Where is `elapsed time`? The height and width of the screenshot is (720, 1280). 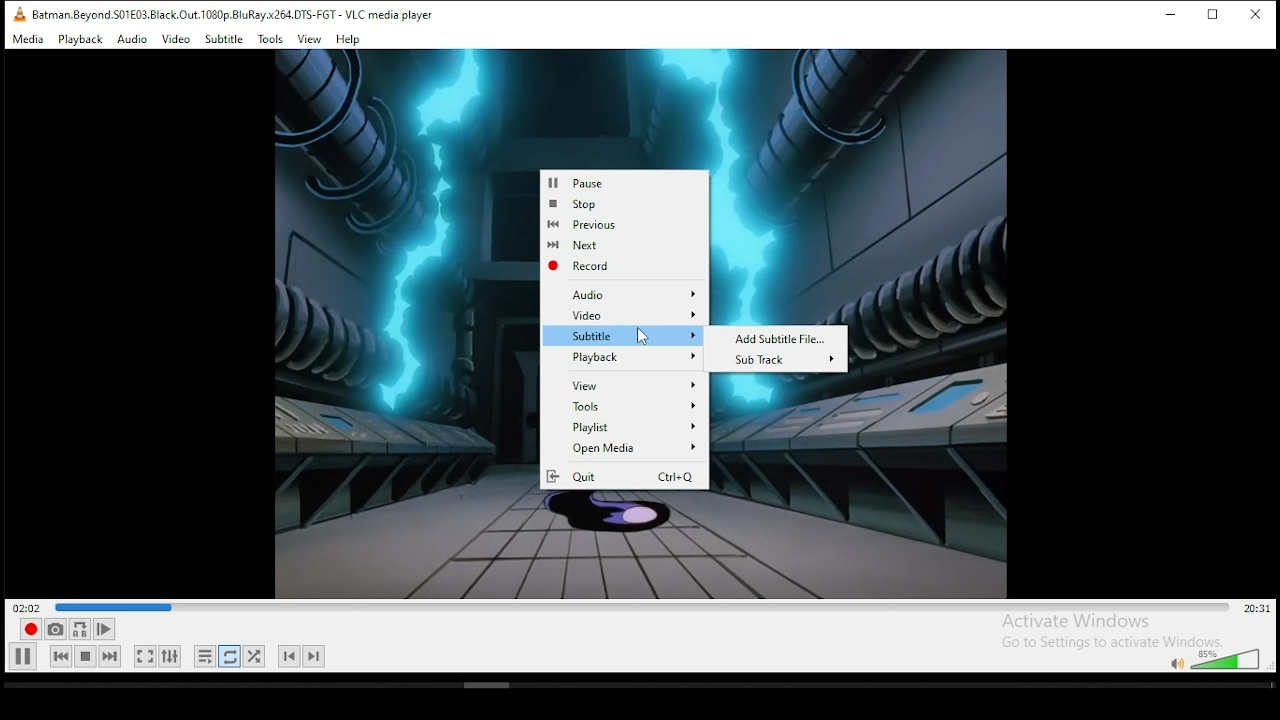
elapsed time is located at coordinates (26, 606).